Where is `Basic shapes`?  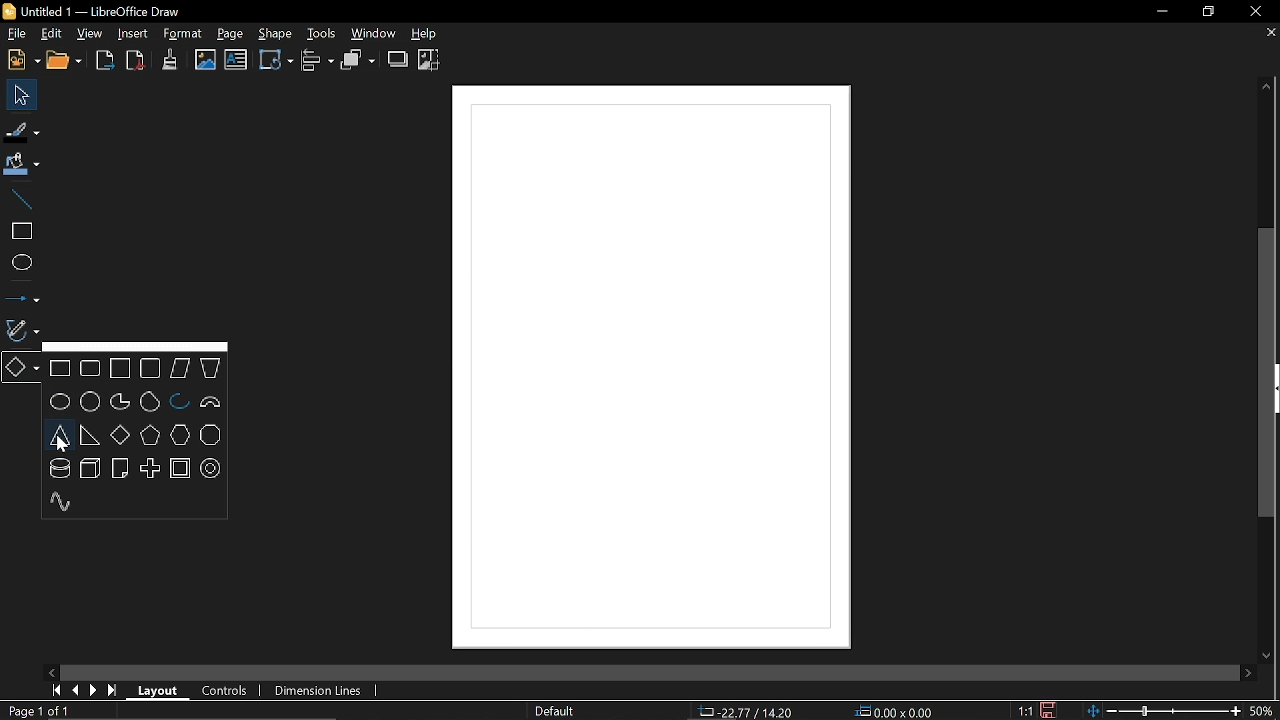 Basic shapes is located at coordinates (22, 367).